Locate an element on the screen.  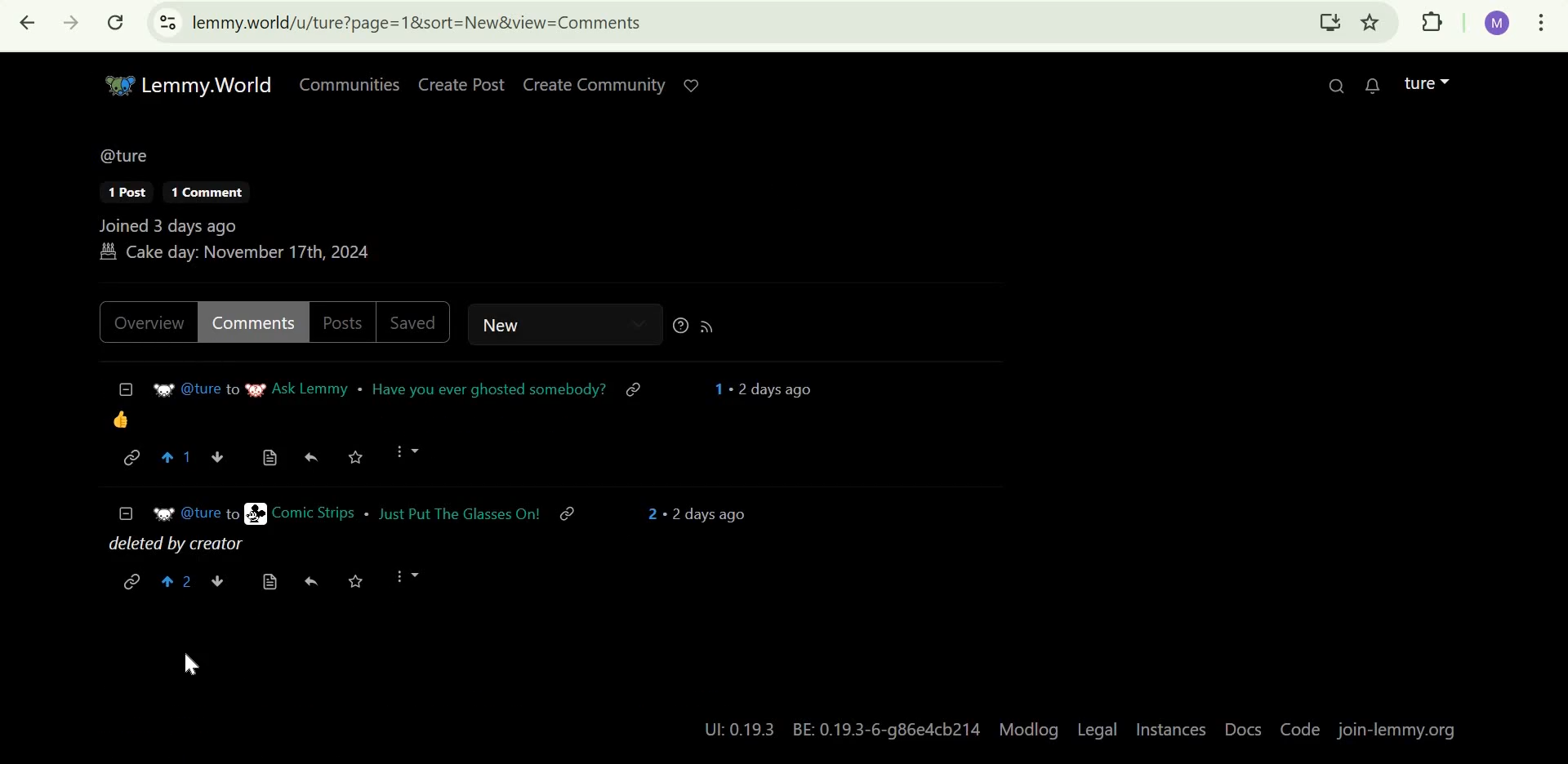
save is located at coordinates (353, 580).